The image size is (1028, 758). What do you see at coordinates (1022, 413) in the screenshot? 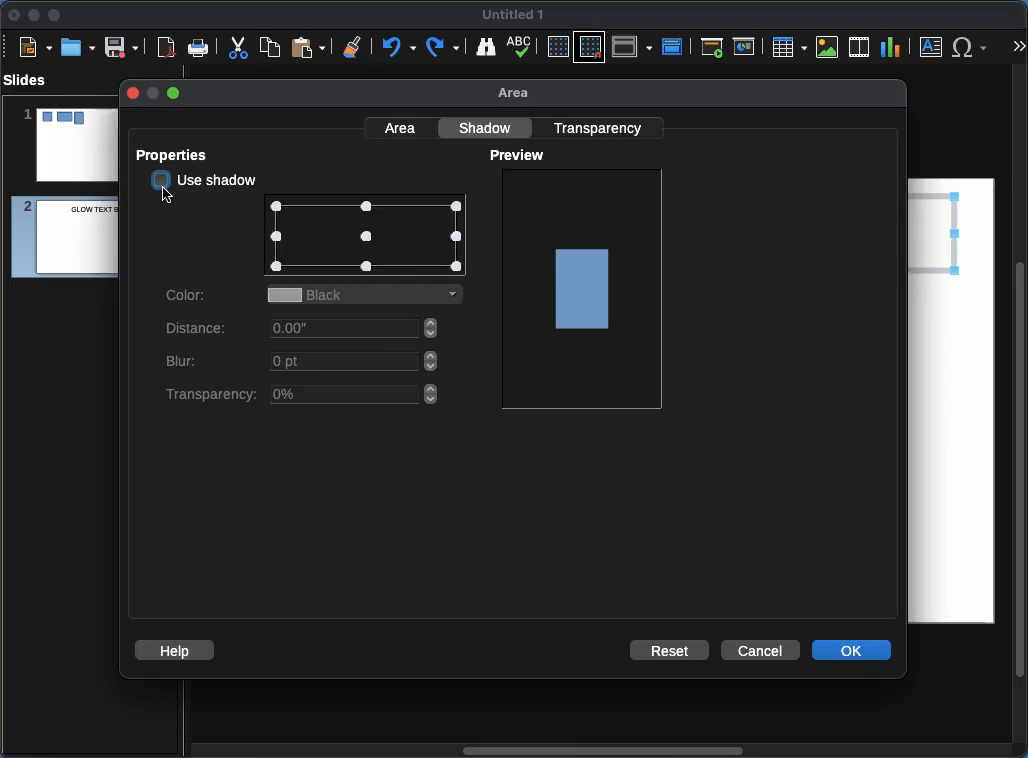
I see `Scroll` at bounding box center [1022, 413].